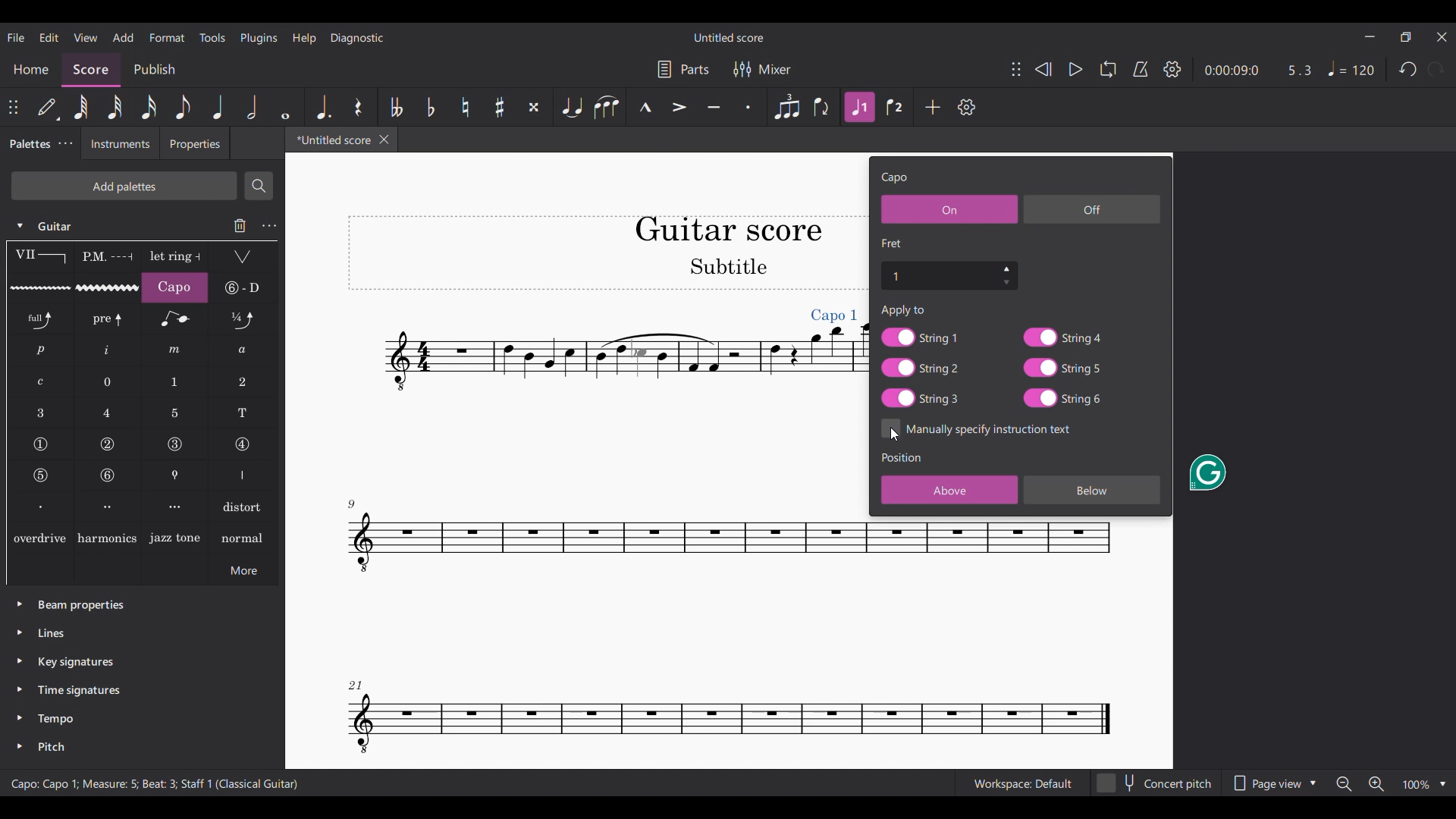 The height and width of the screenshot is (819, 1456). I want to click on Parts settings, so click(683, 69).